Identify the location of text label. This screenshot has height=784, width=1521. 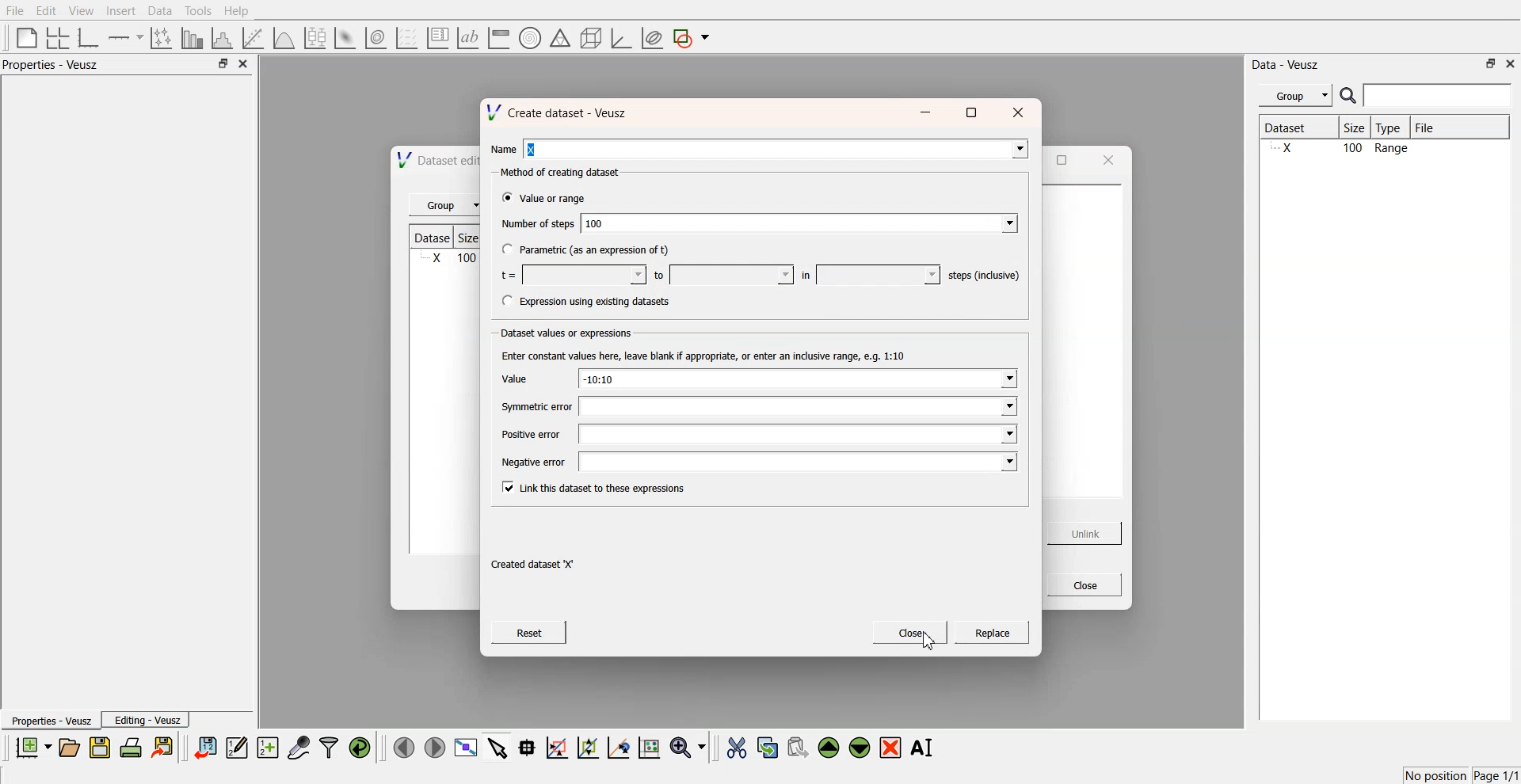
(466, 38).